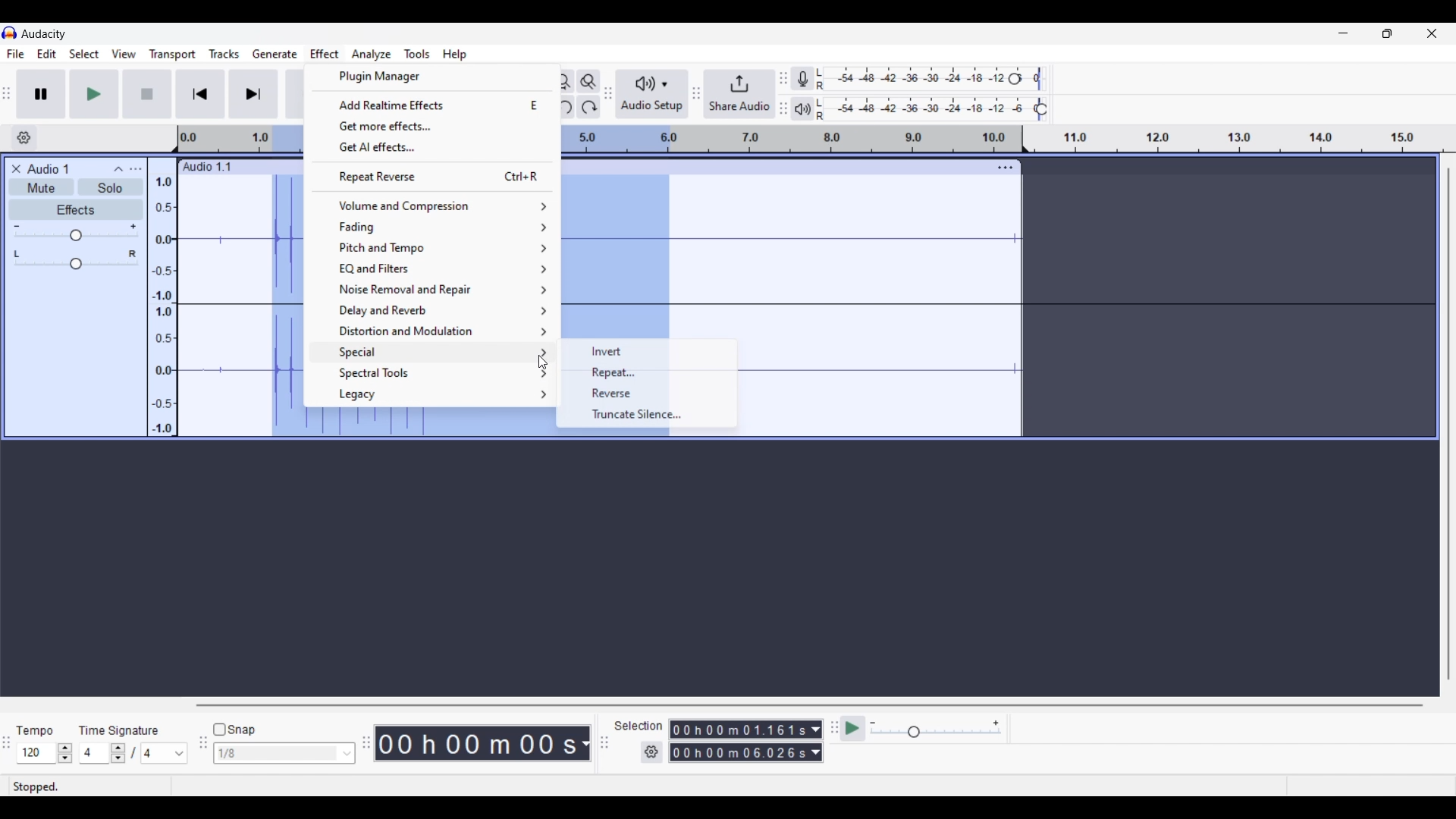  Describe the element at coordinates (588, 81) in the screenshot. I see `Zoom toggle` at that location.